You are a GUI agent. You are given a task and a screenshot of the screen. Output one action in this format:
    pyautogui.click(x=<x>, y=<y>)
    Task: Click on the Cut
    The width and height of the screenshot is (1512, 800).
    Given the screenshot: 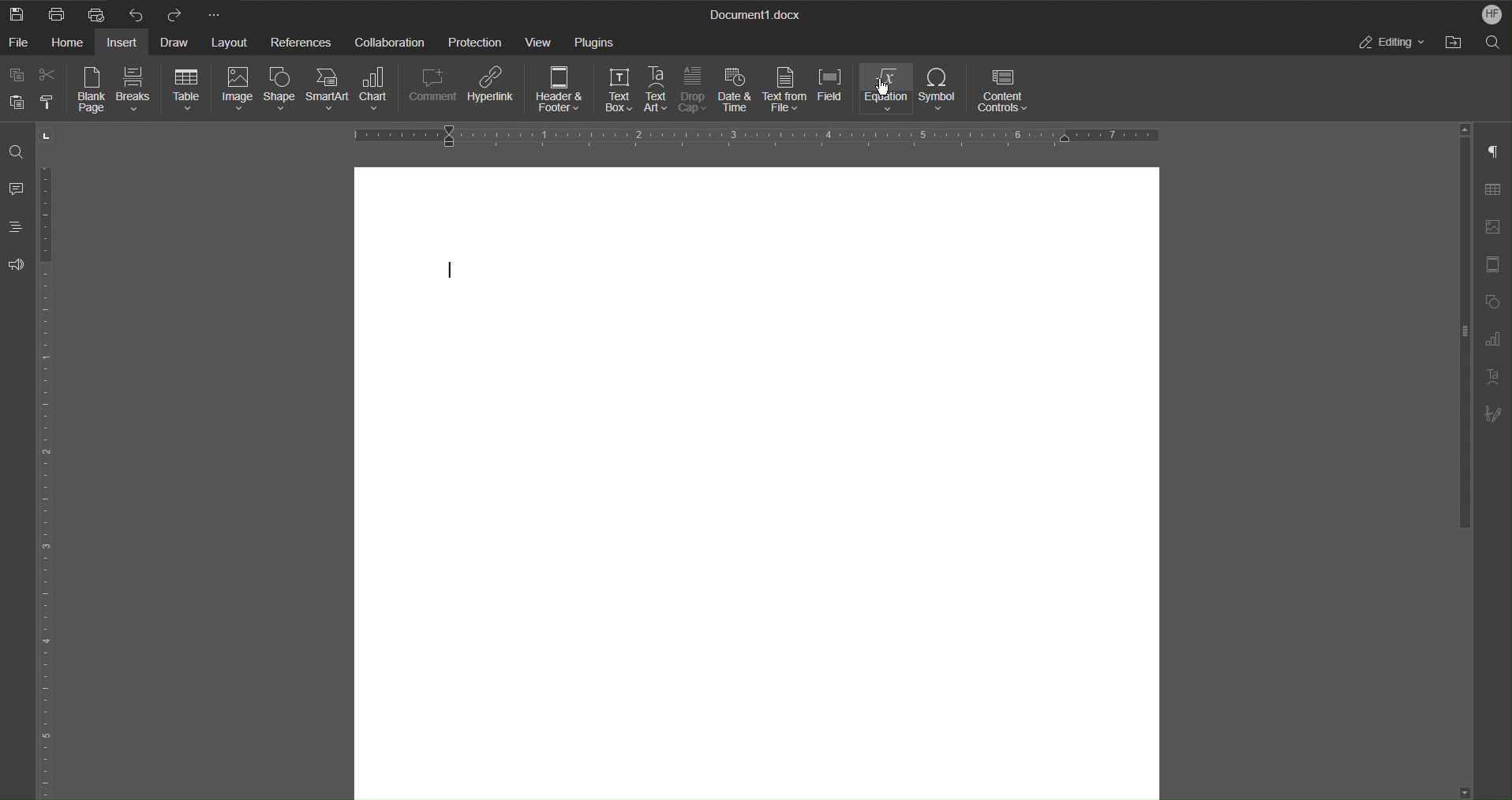 What is the action you would take?
    pyautogui.click(x=48, y=75)
    